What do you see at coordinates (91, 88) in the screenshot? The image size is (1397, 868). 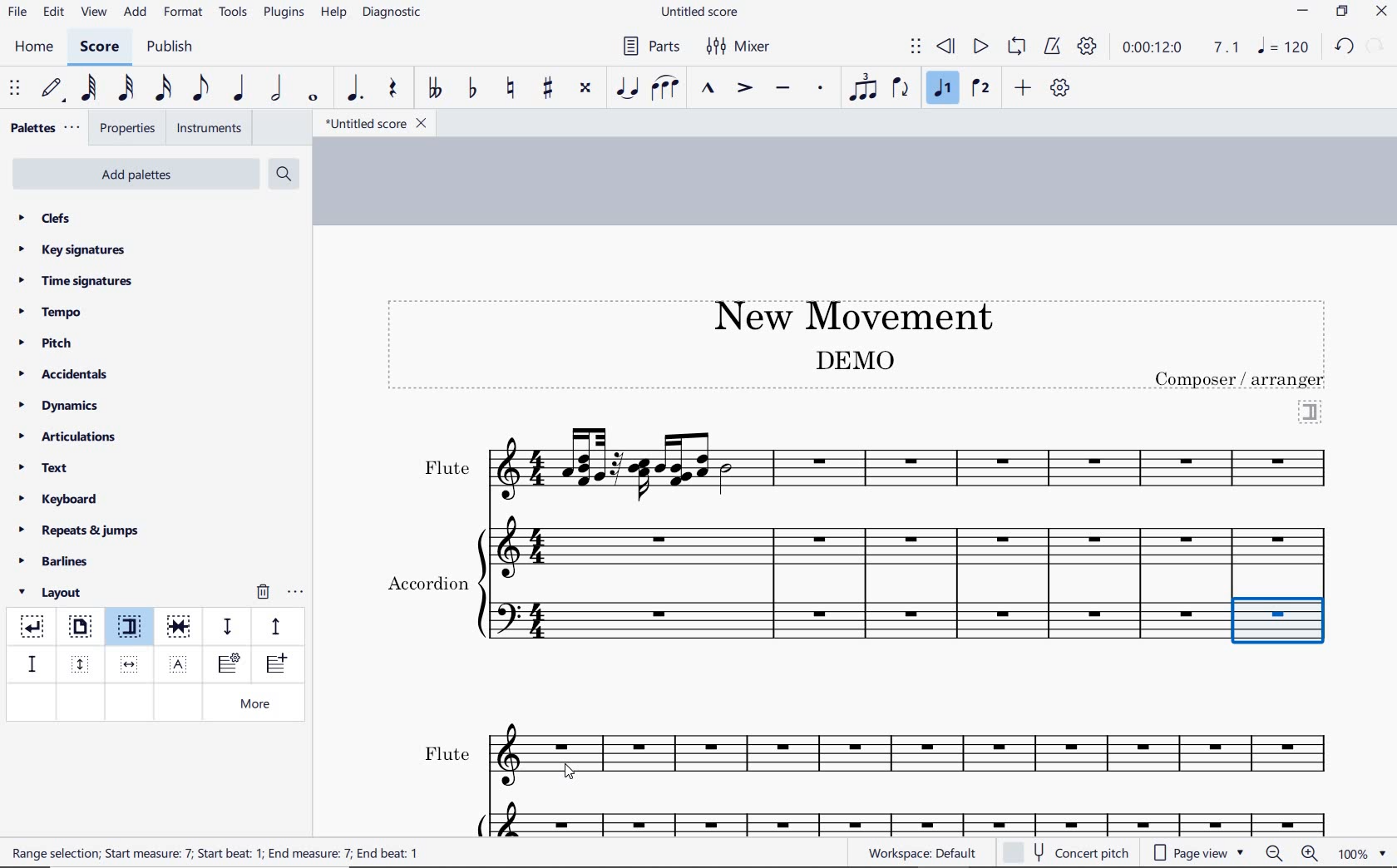 I see `64th note` at bounding box center [91, 88].